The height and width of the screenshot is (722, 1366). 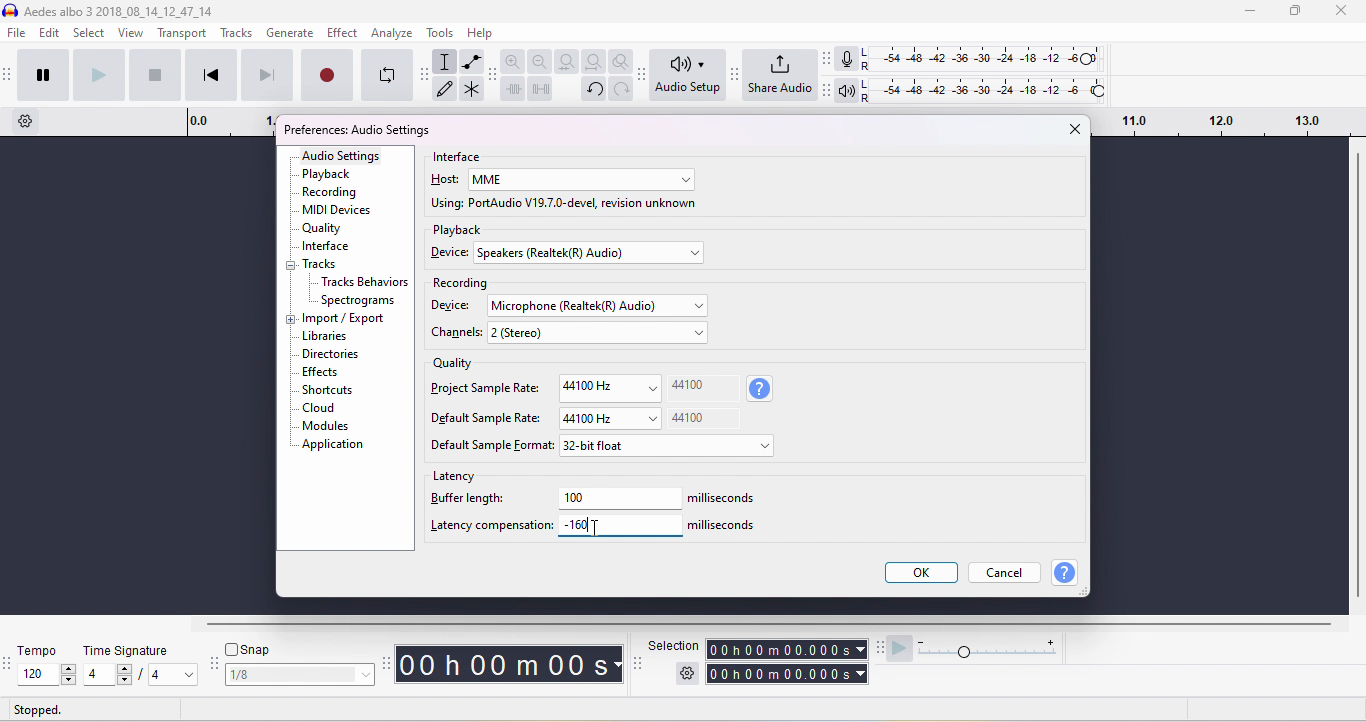 I want to click on skip to start, so click(x=209, y=74).